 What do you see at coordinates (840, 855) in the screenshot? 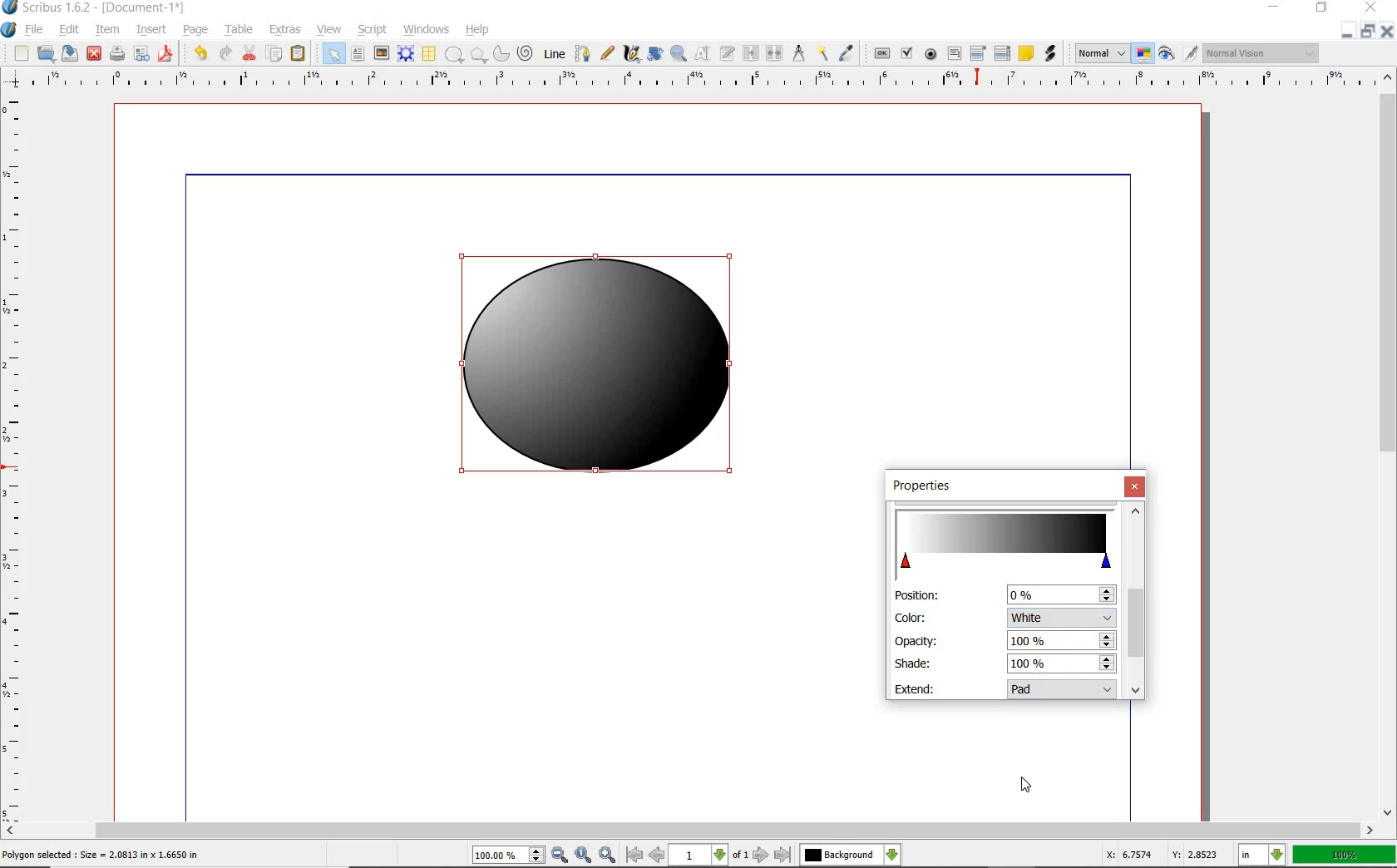
I see `` at bounding box center [840, 855].